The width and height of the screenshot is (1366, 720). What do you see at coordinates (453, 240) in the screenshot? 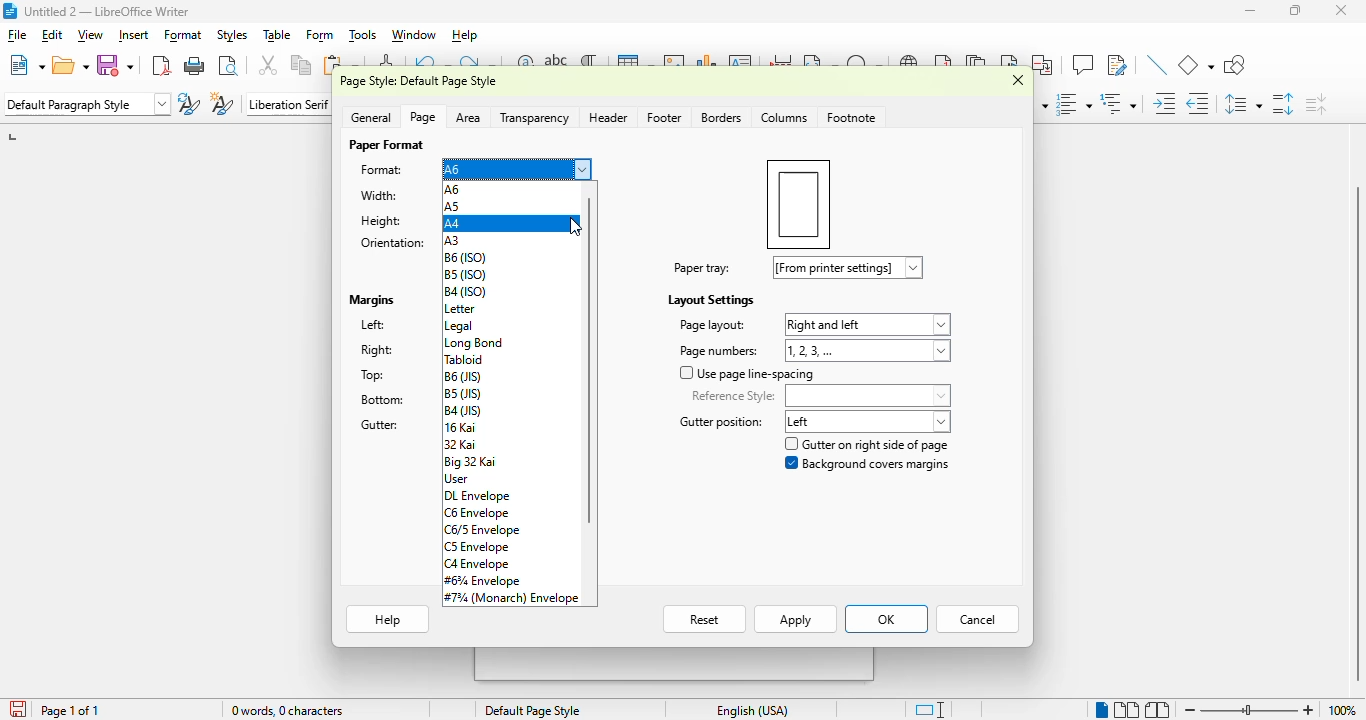
I see `A3` at bounding box center [453, 240].